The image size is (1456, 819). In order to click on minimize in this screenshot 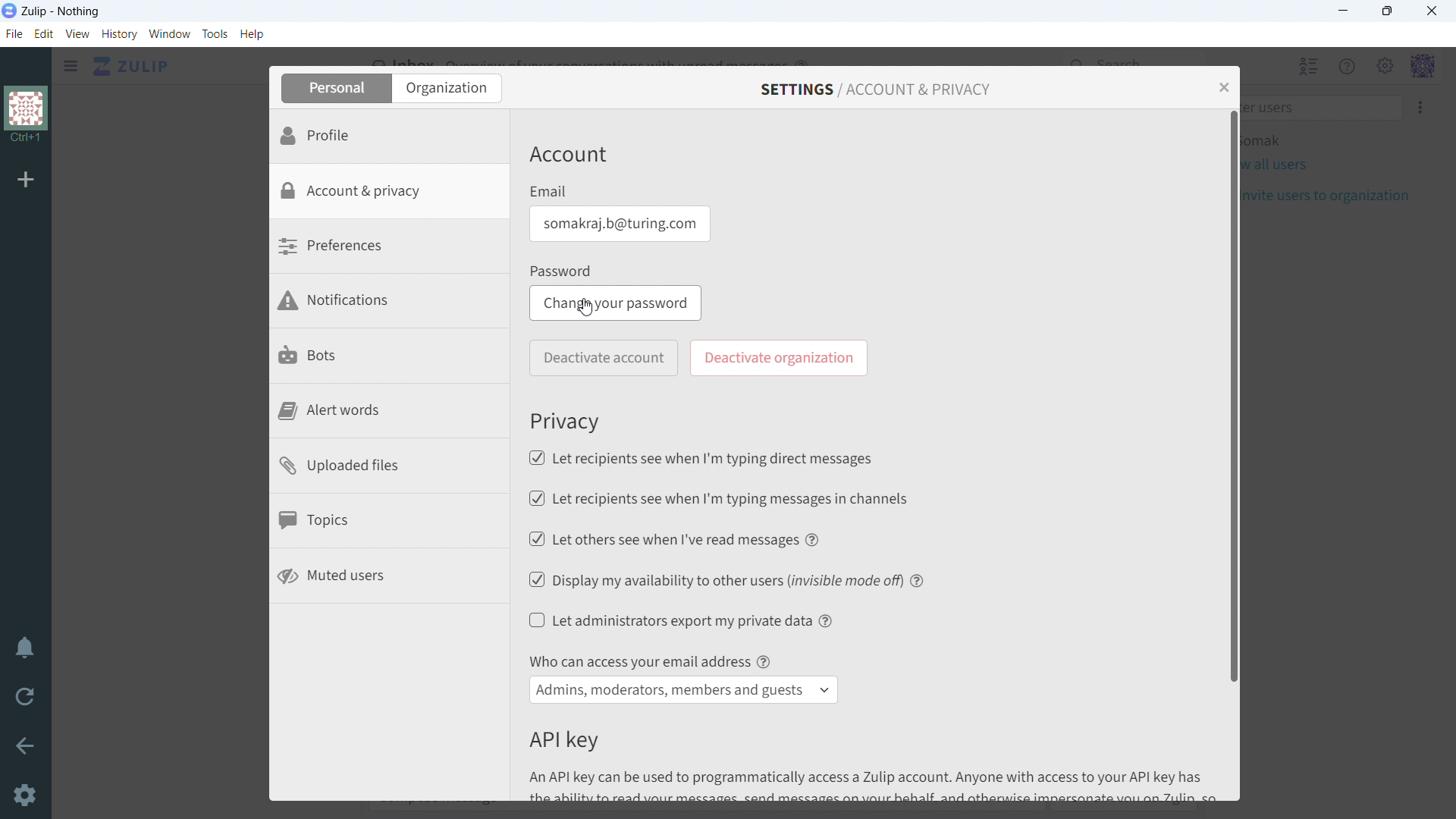, I will do `click(1345, 11)`.